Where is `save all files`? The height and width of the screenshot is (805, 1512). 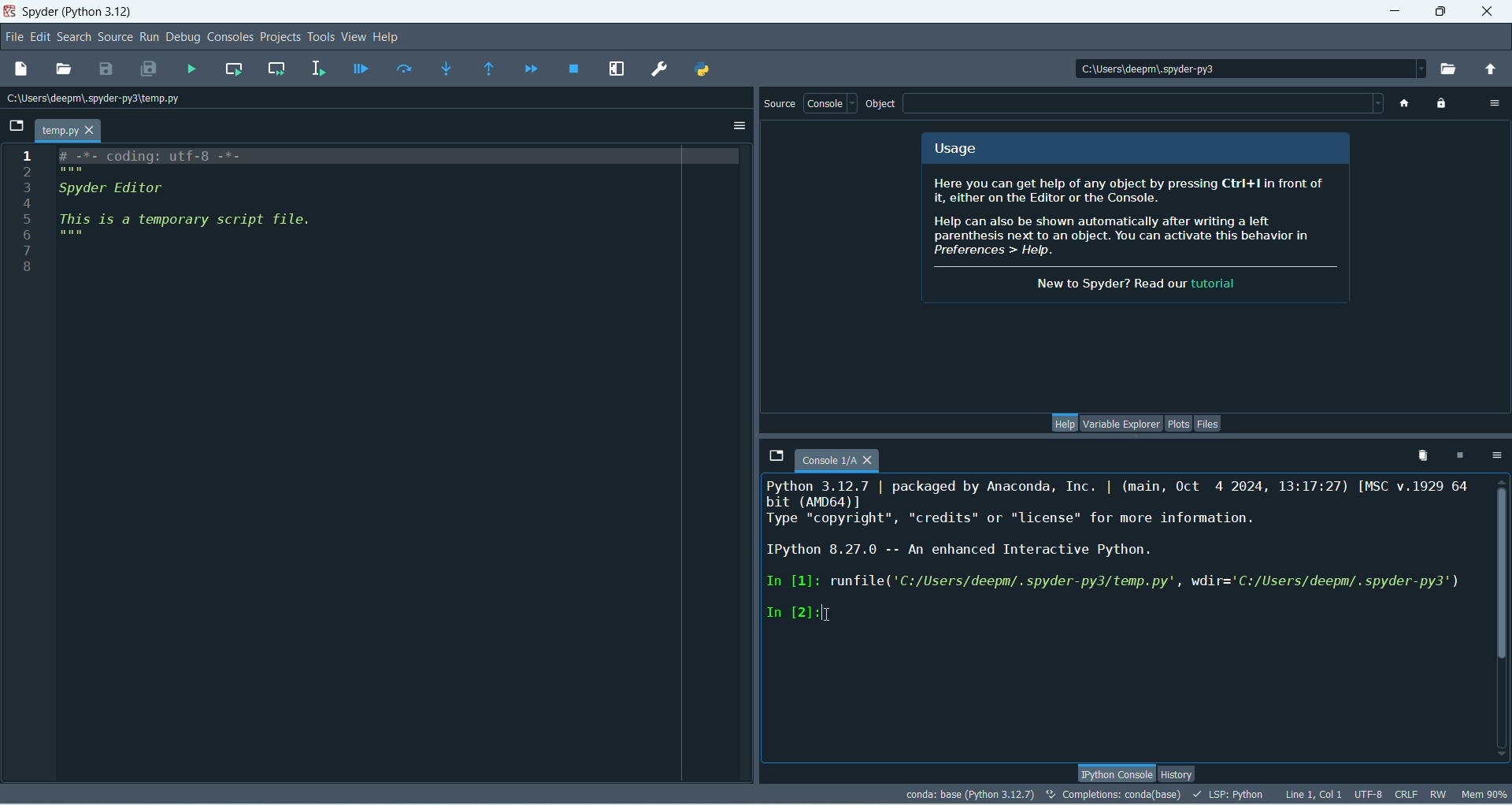
save all files is located at coordinates (150, 68).